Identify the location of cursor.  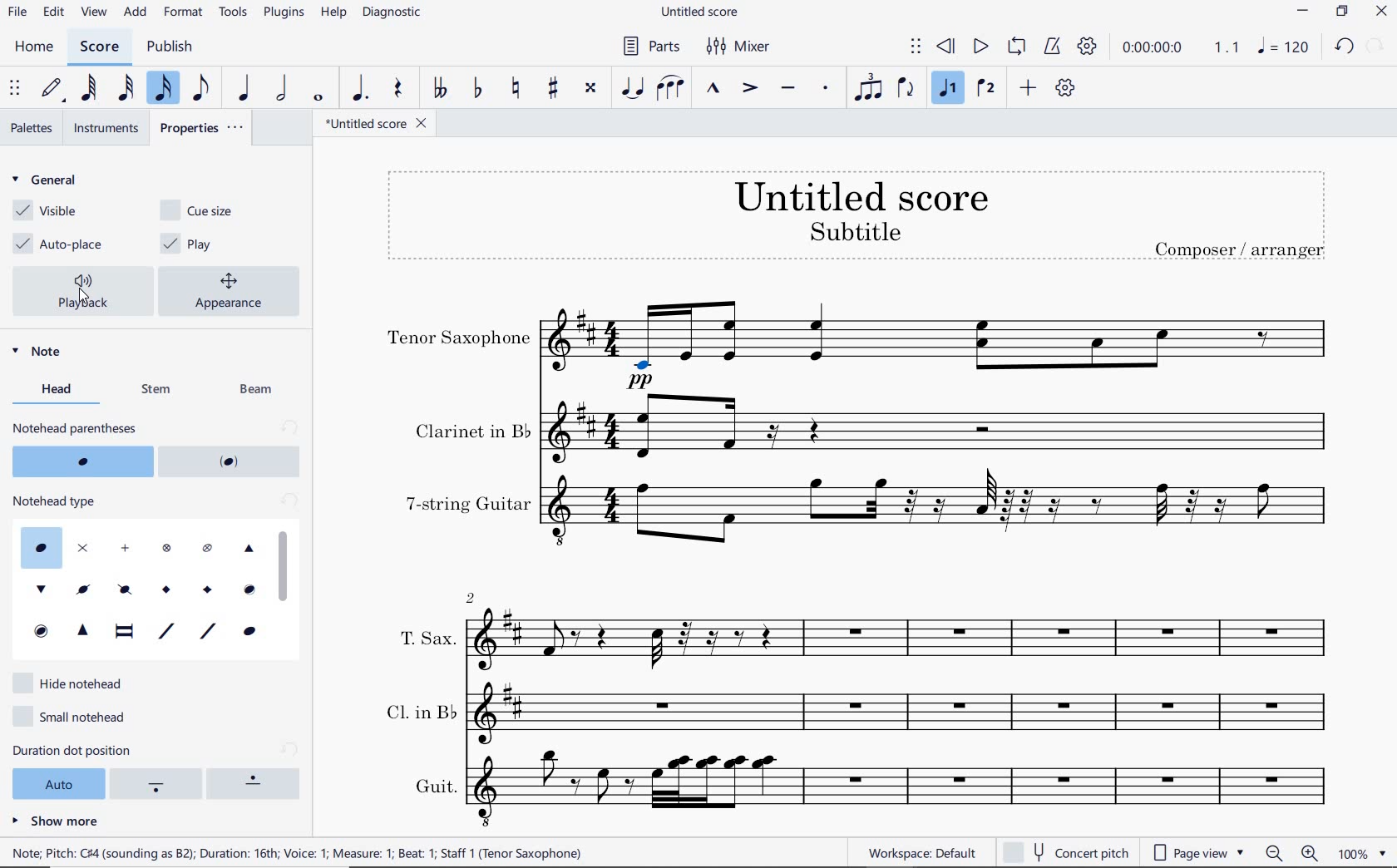
(285, 565).